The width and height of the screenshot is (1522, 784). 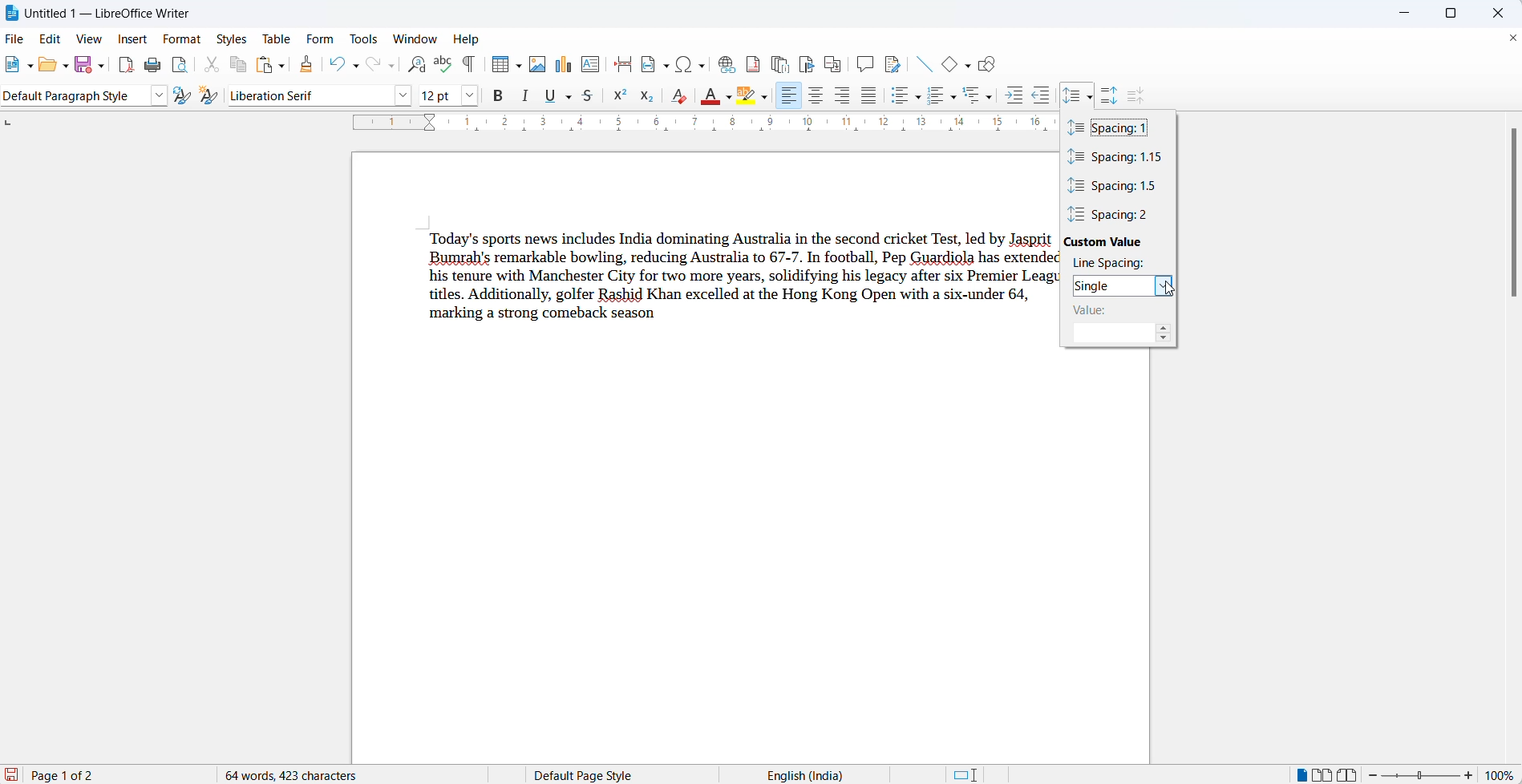 I want to click on toggle ordered list, so click(x=933, y=94).